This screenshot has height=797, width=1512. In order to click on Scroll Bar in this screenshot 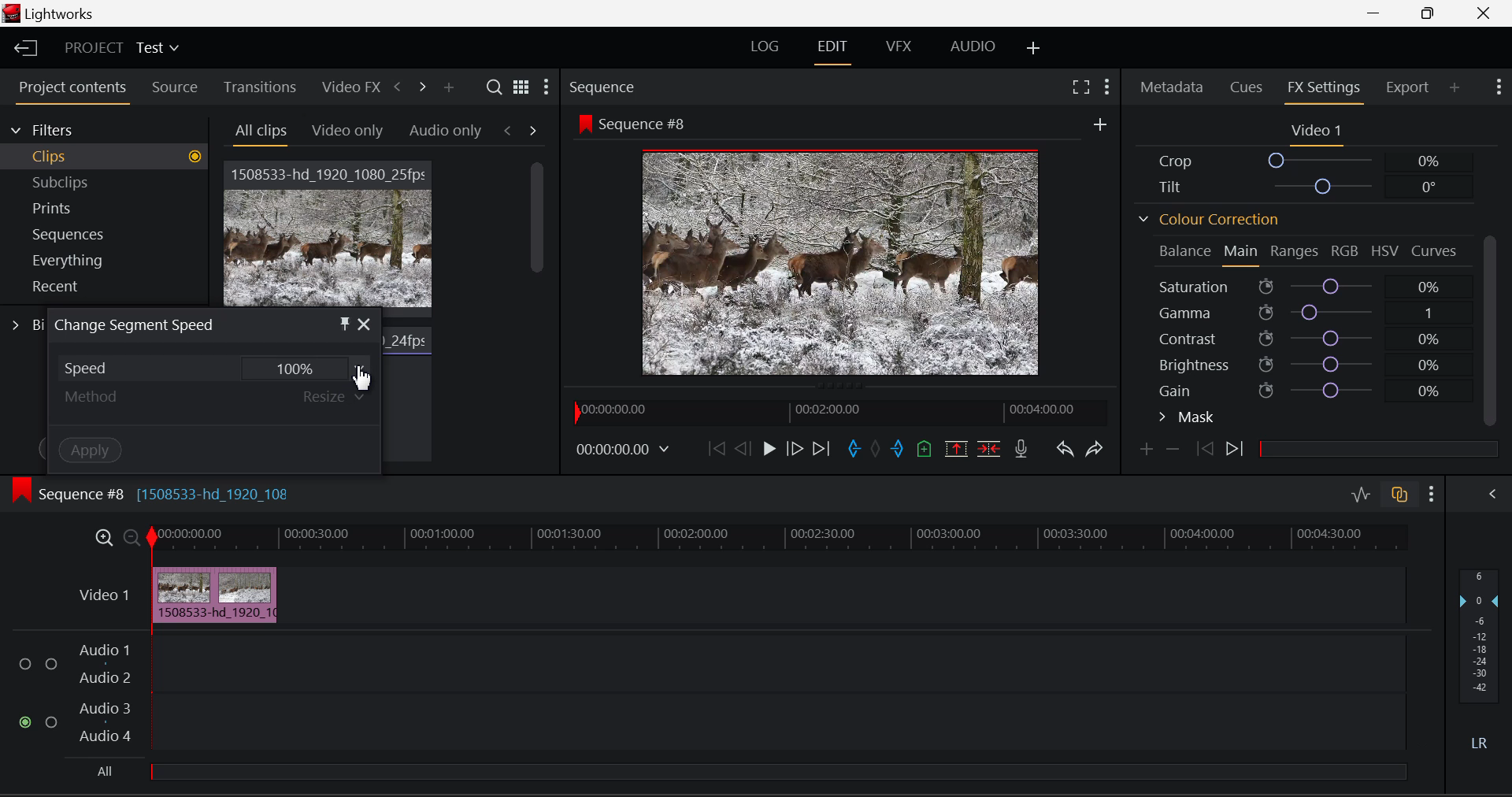, I will do `click(1489, 332)`.